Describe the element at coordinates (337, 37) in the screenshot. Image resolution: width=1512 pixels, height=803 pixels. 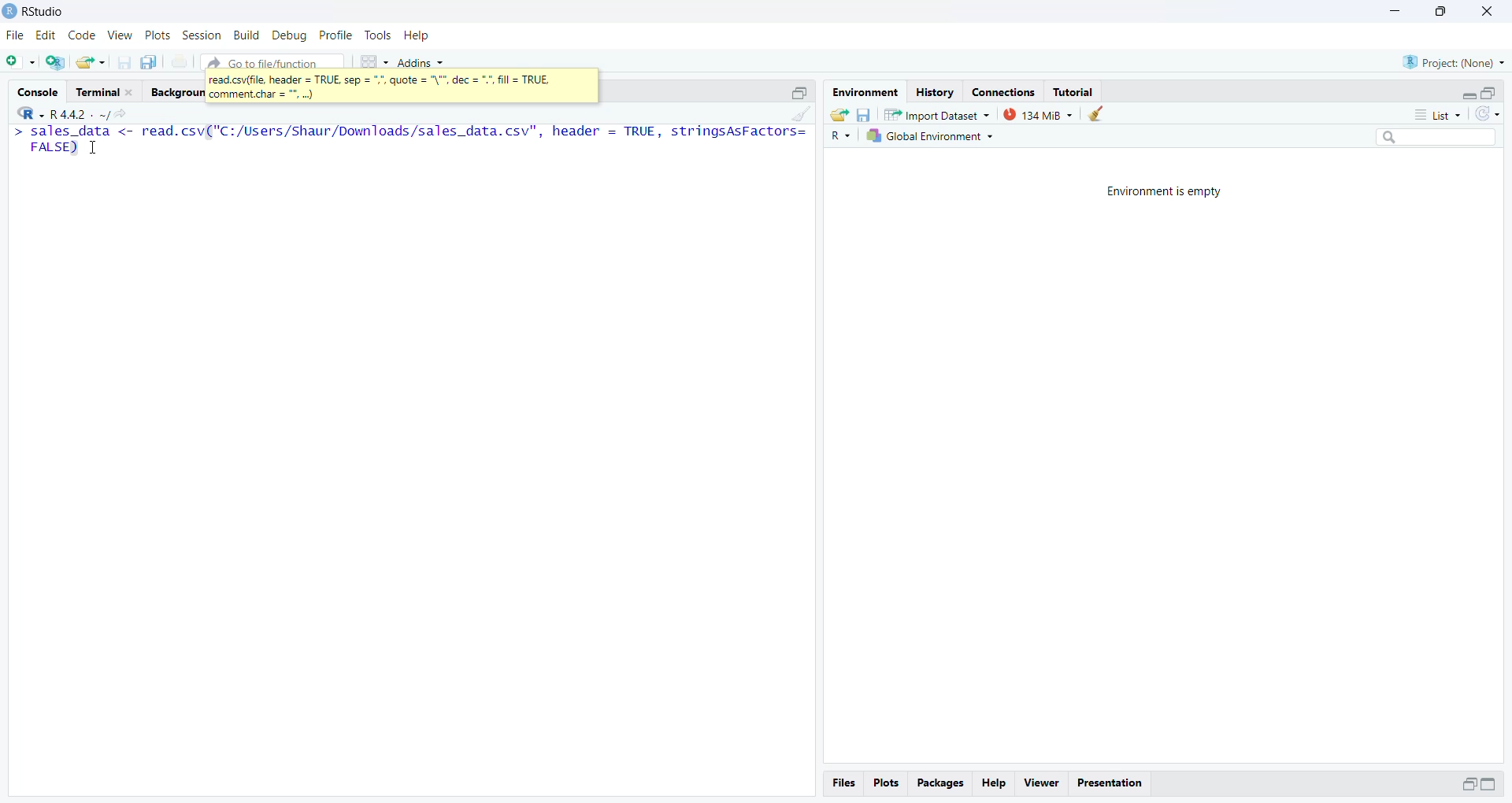
I see `Profile` at that location.